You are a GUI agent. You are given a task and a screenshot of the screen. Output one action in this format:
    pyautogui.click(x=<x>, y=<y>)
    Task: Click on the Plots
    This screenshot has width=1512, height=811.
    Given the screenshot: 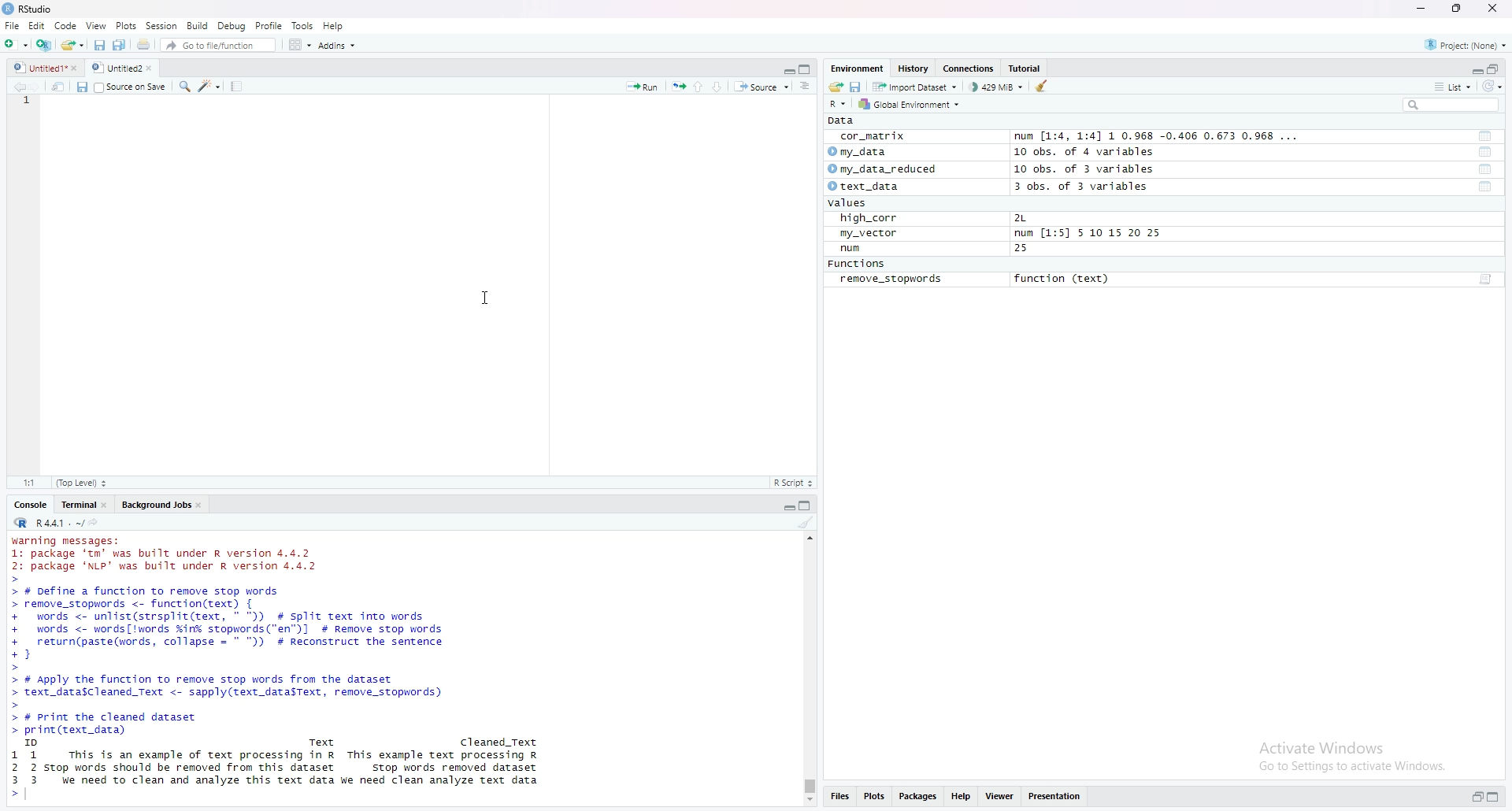 What is the action you would take?
    pyautogui.click(x=125, y=25)
    